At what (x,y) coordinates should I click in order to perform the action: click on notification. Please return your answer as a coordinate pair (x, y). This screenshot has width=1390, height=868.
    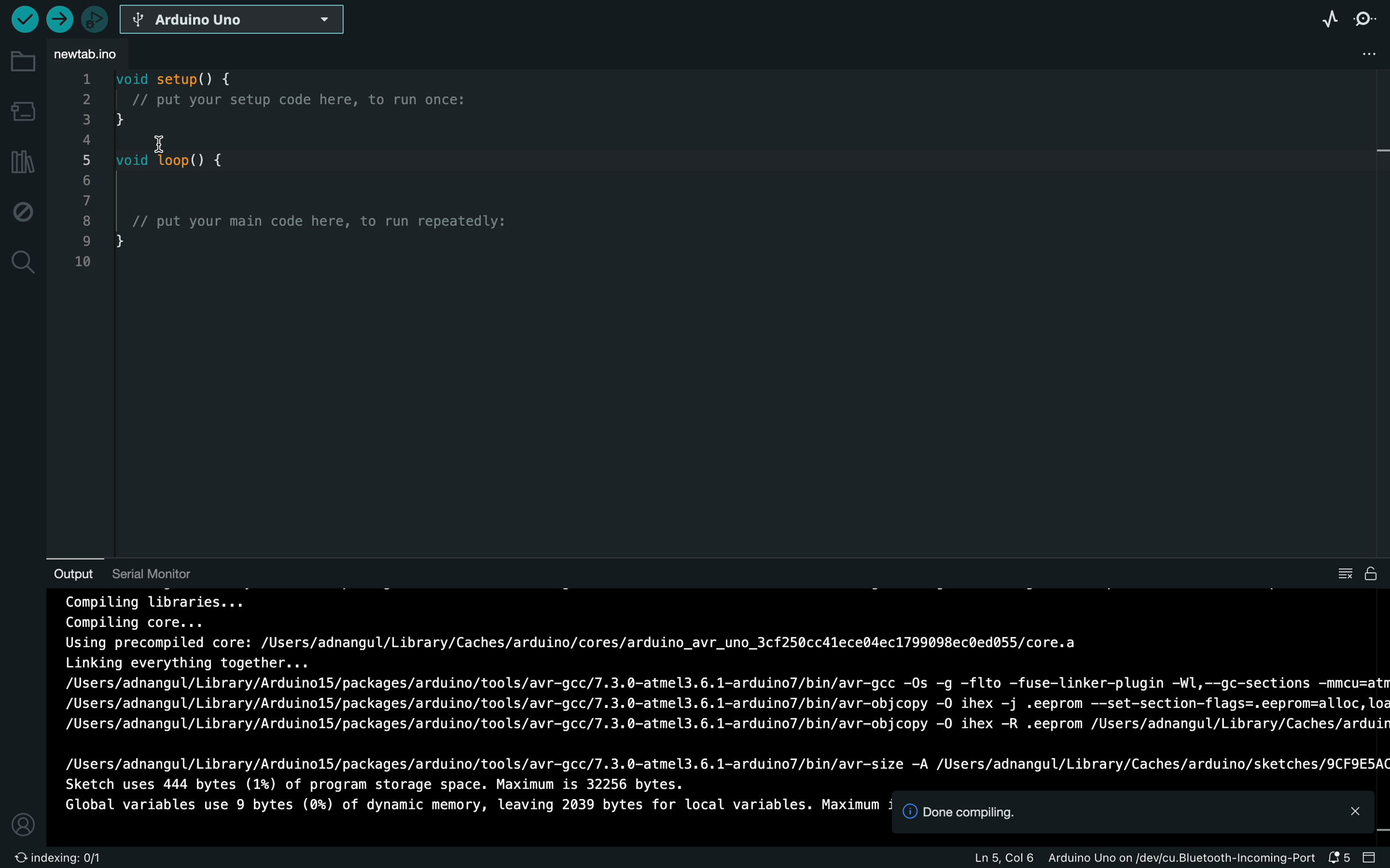
    Looking at the image, I should click on (1339, 857).